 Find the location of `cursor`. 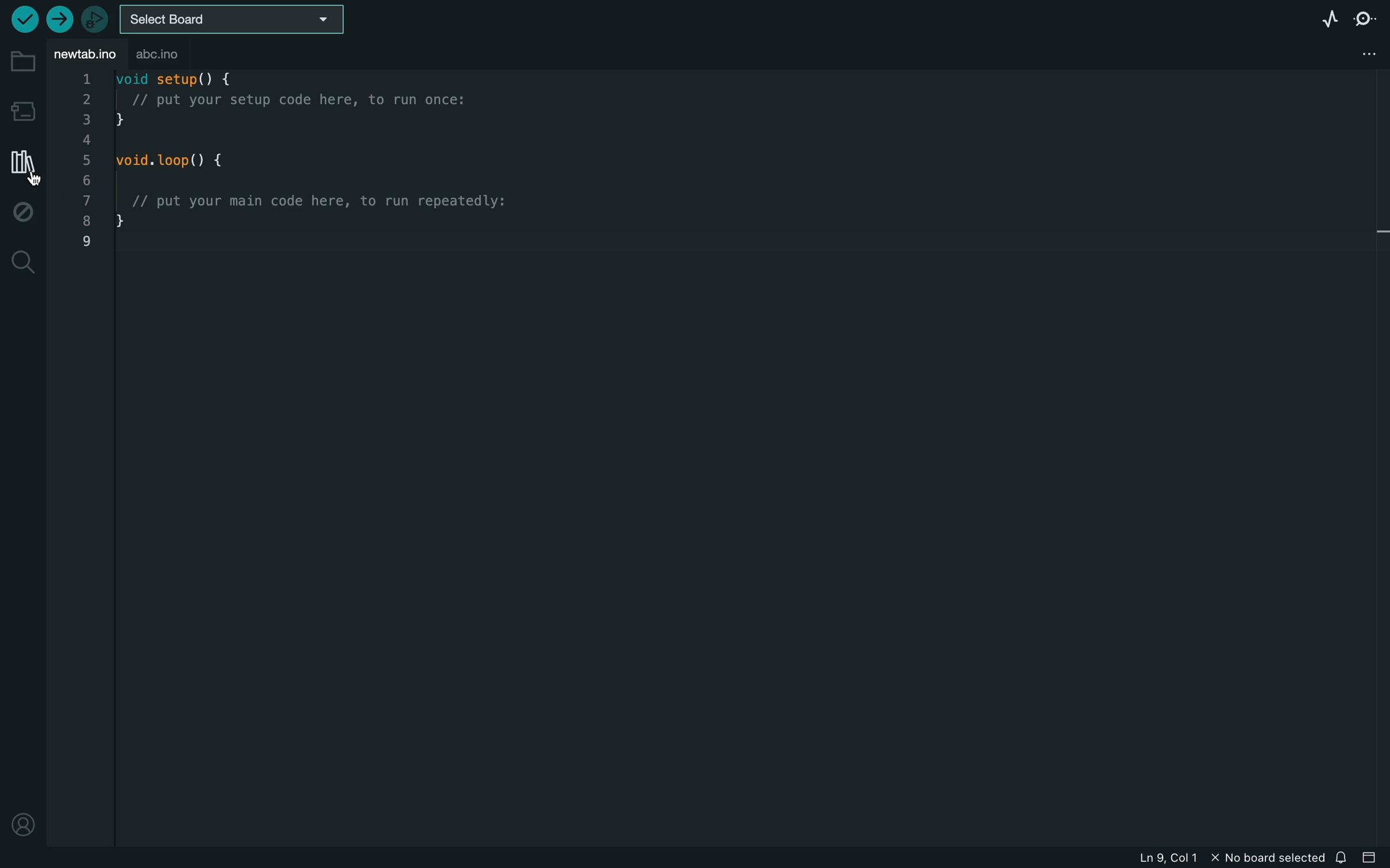

cursor is located at coordinates (29, 176).